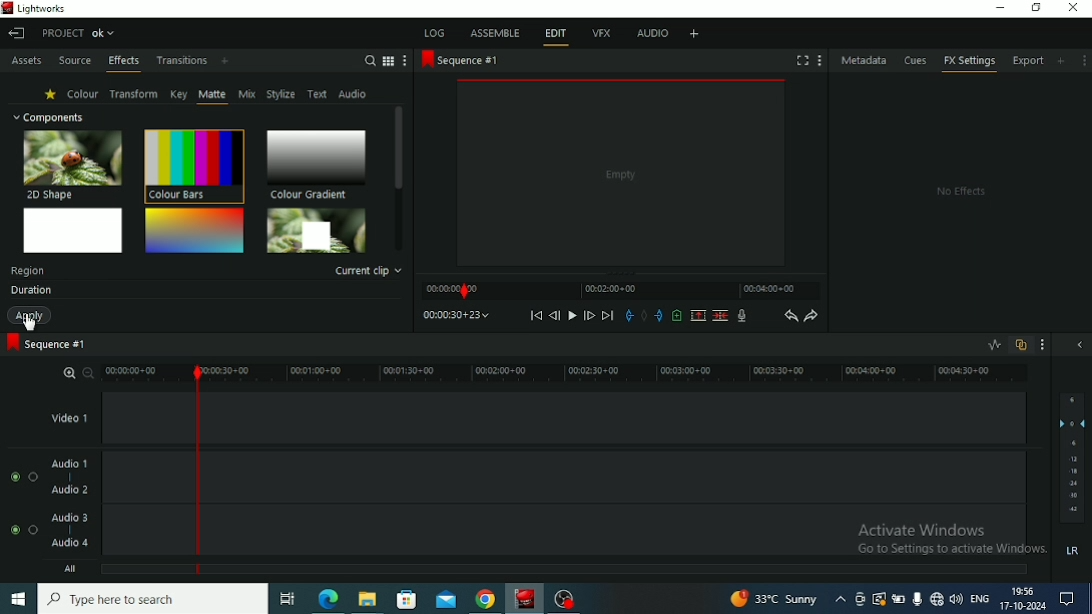 This screenshot has height=614, width=1092. I want to click on Assets, so click(26, 62).